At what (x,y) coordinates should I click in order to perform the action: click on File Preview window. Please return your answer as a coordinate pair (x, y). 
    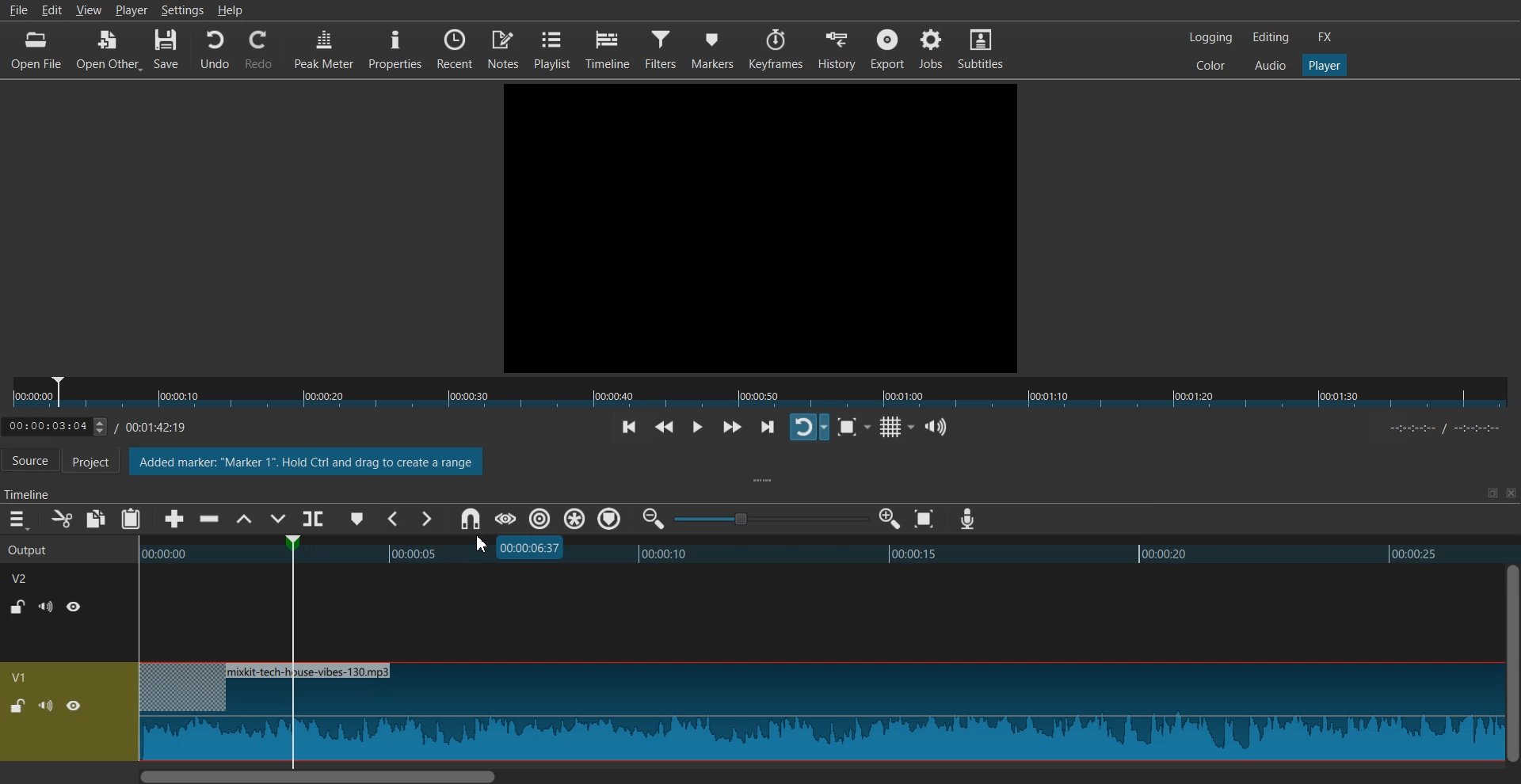
    Looking at the image, I should click on (764, 226).